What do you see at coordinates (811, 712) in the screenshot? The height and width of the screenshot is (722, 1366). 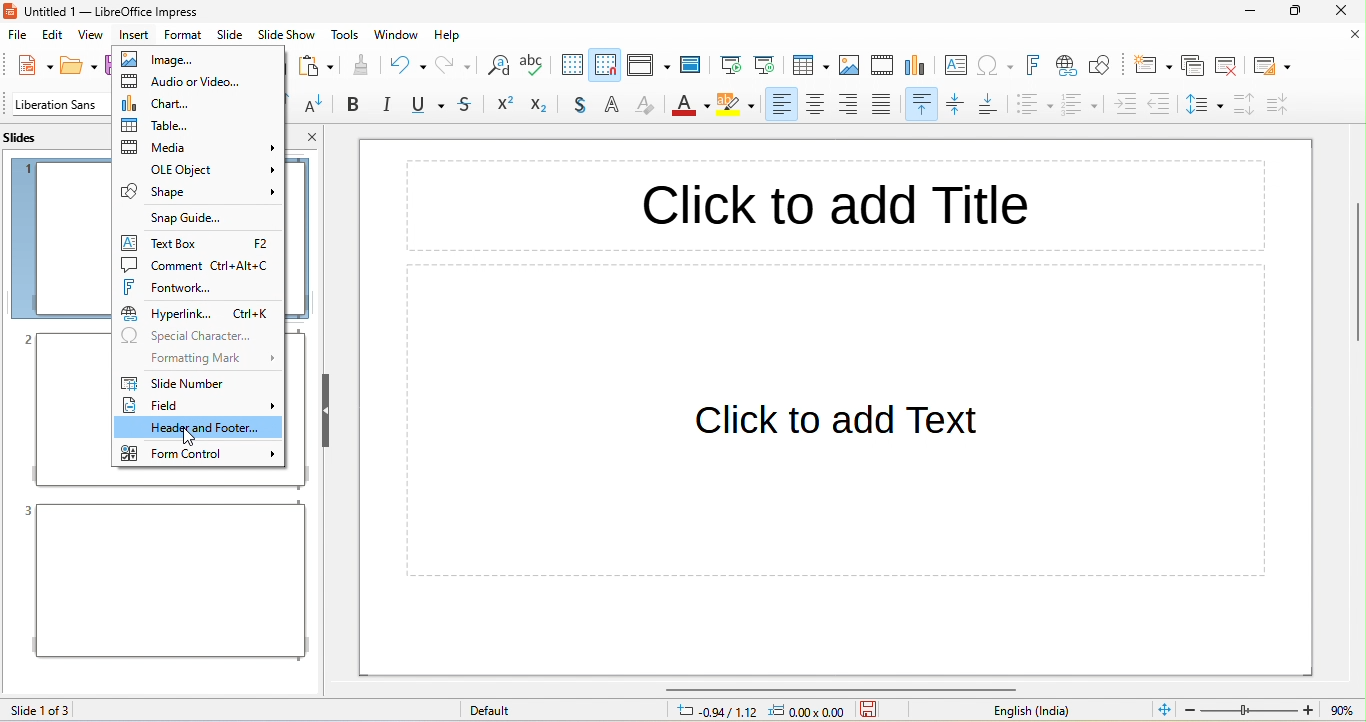 I see `0.00x0.00` at bounding box center [811, 712].